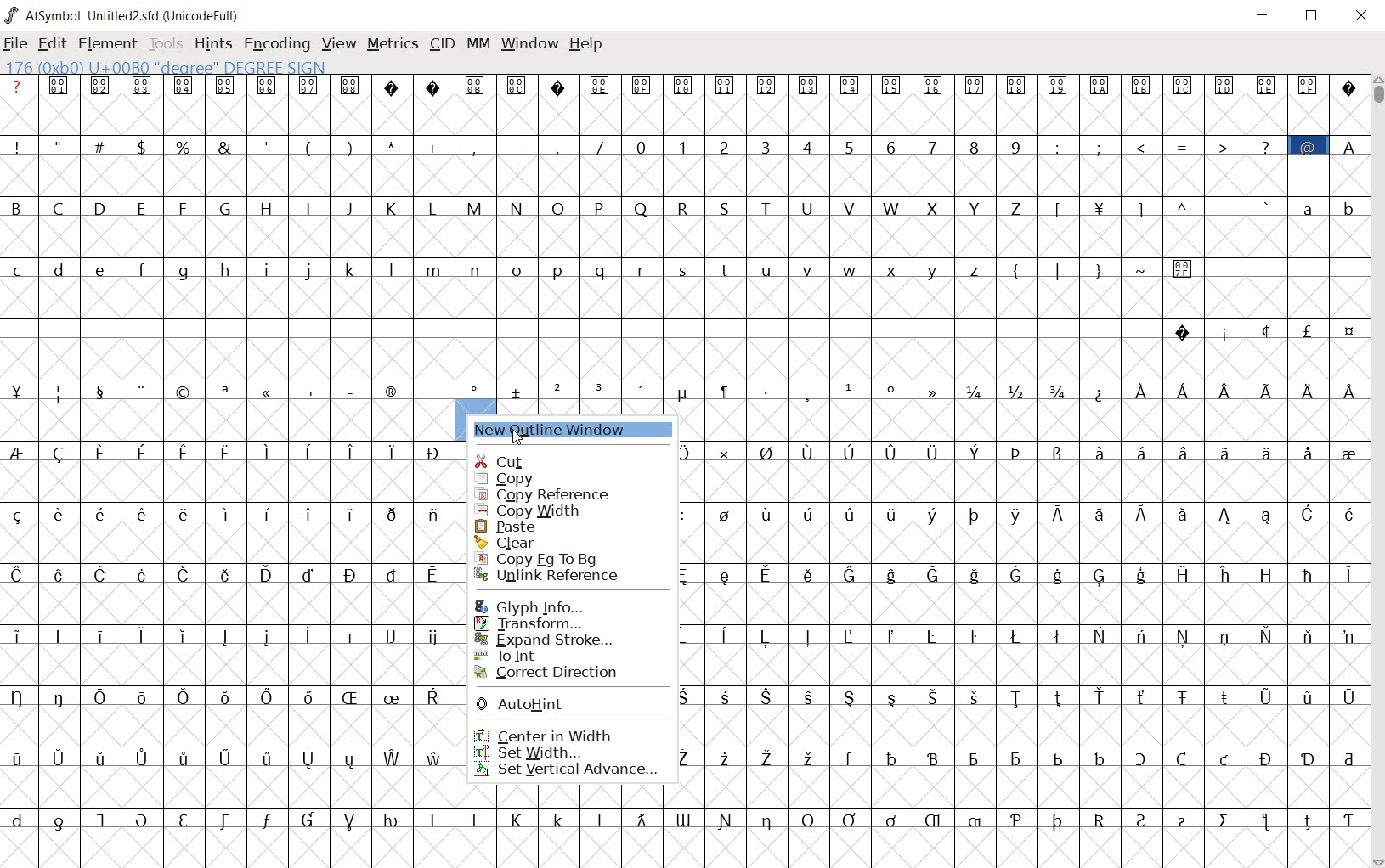  I want to click on unicode code points, so click(204, 85).